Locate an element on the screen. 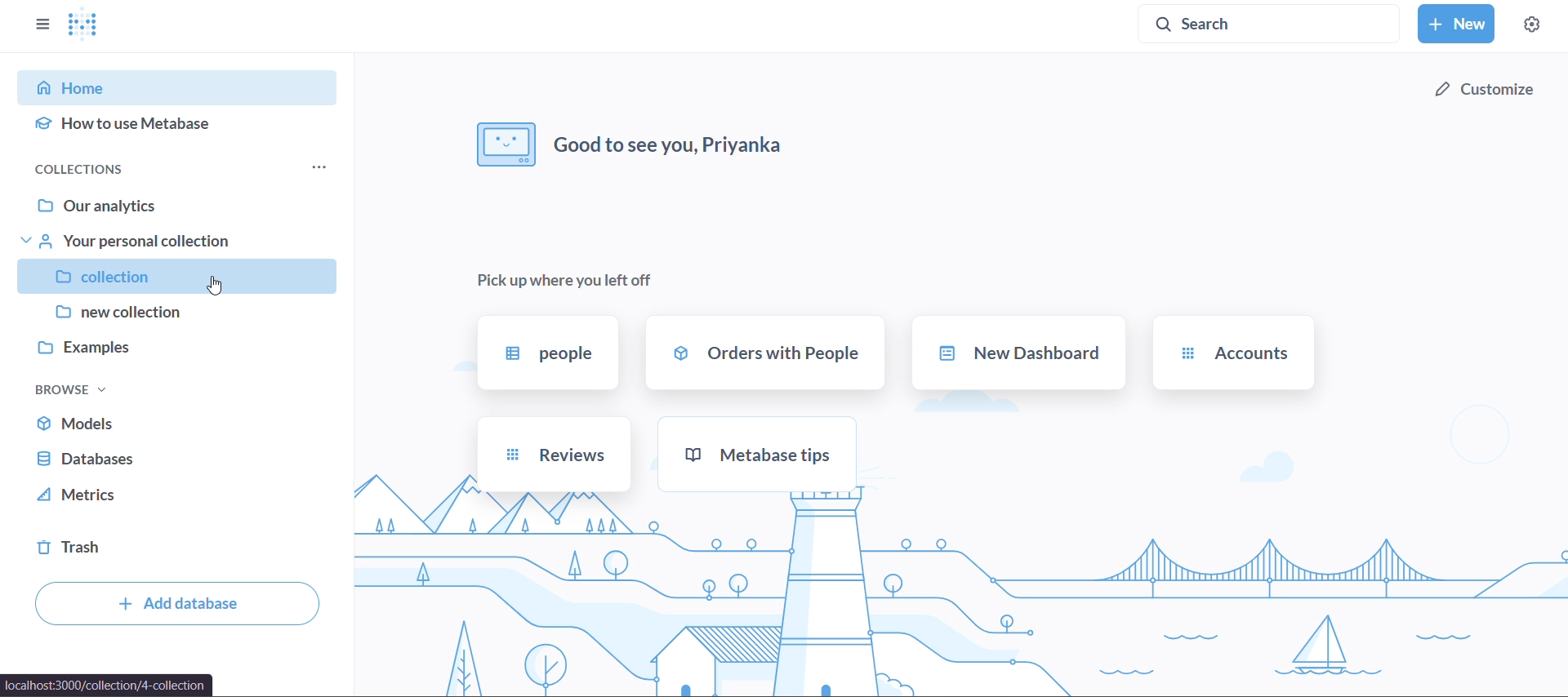  collections is located at coordinates (93, 167).